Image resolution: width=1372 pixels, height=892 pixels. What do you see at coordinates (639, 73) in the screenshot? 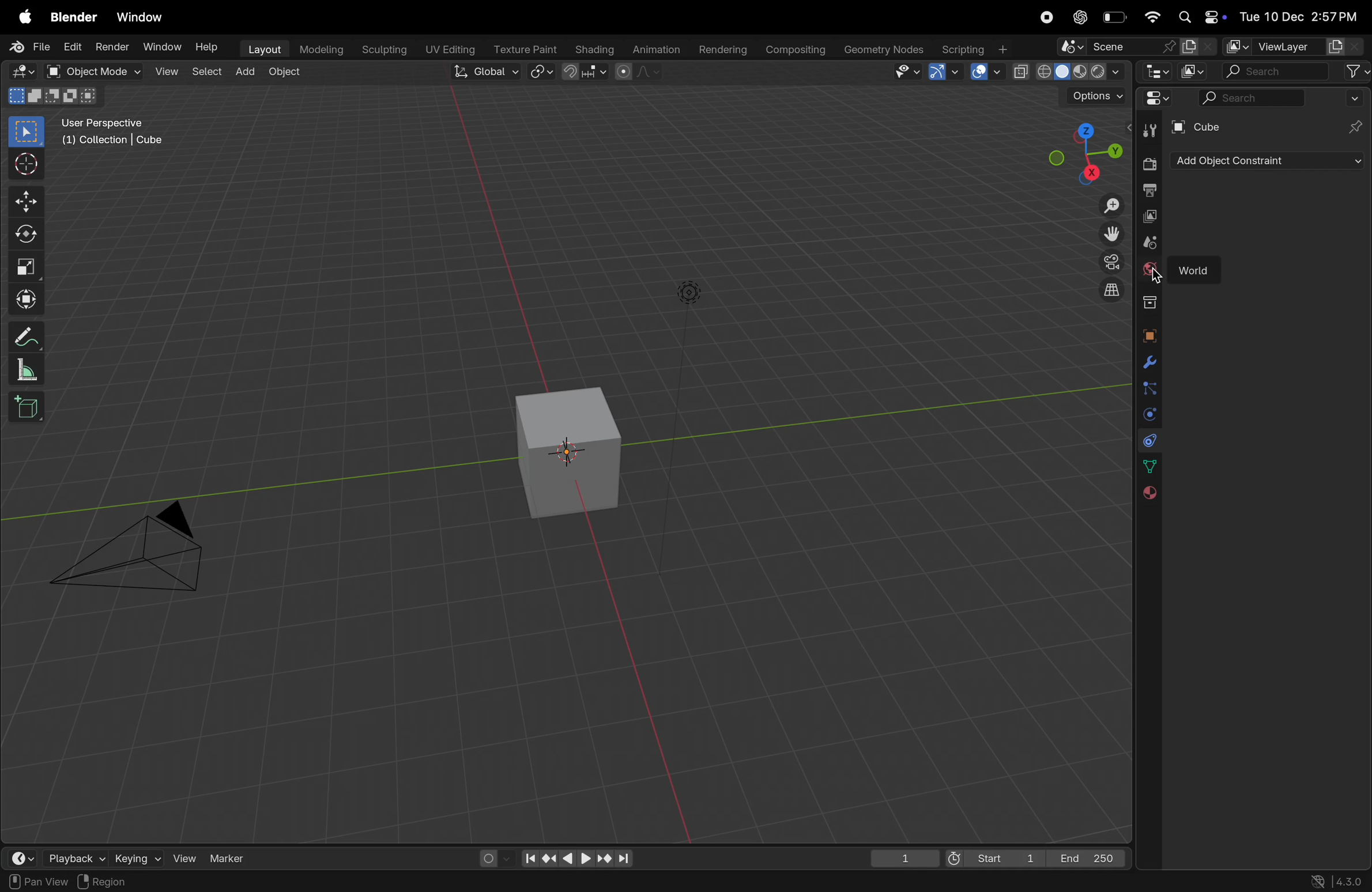
I see `proportinal editing objects` at bounding box center [639, 73].